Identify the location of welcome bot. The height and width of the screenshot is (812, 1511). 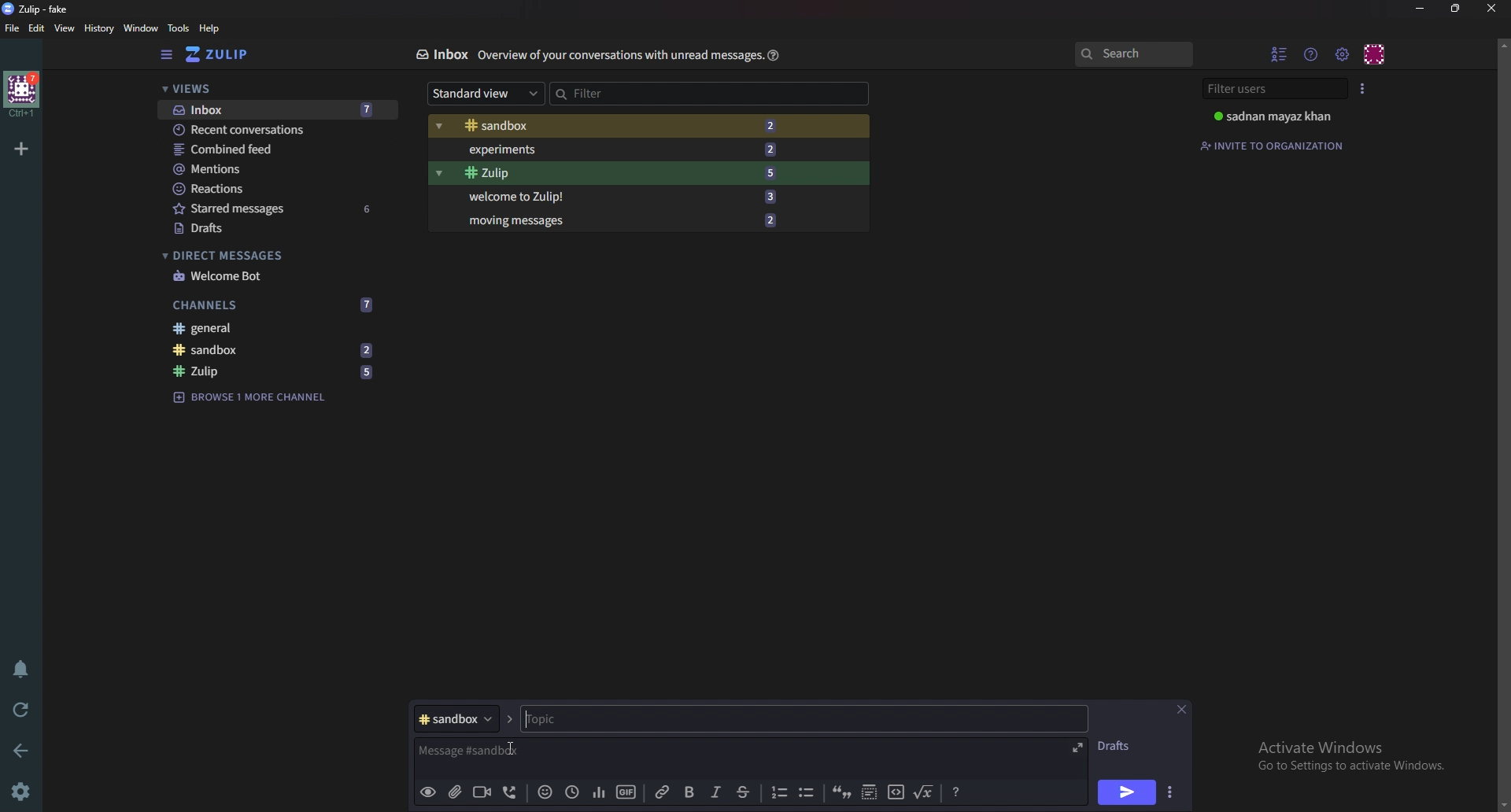
(273, 276).